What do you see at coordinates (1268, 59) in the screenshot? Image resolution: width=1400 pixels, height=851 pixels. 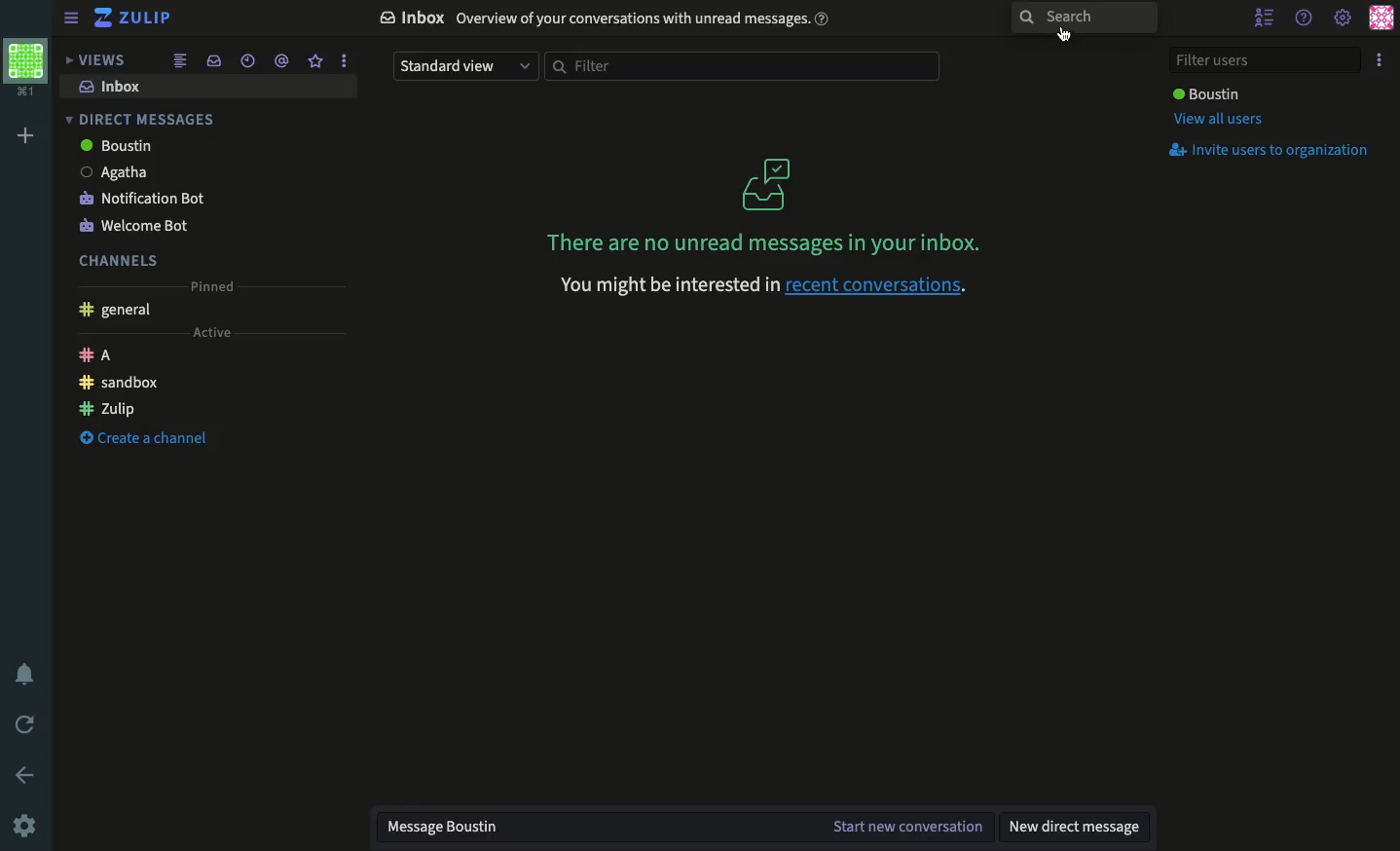 I see `Filter users` at bounding box center [1268, 59].